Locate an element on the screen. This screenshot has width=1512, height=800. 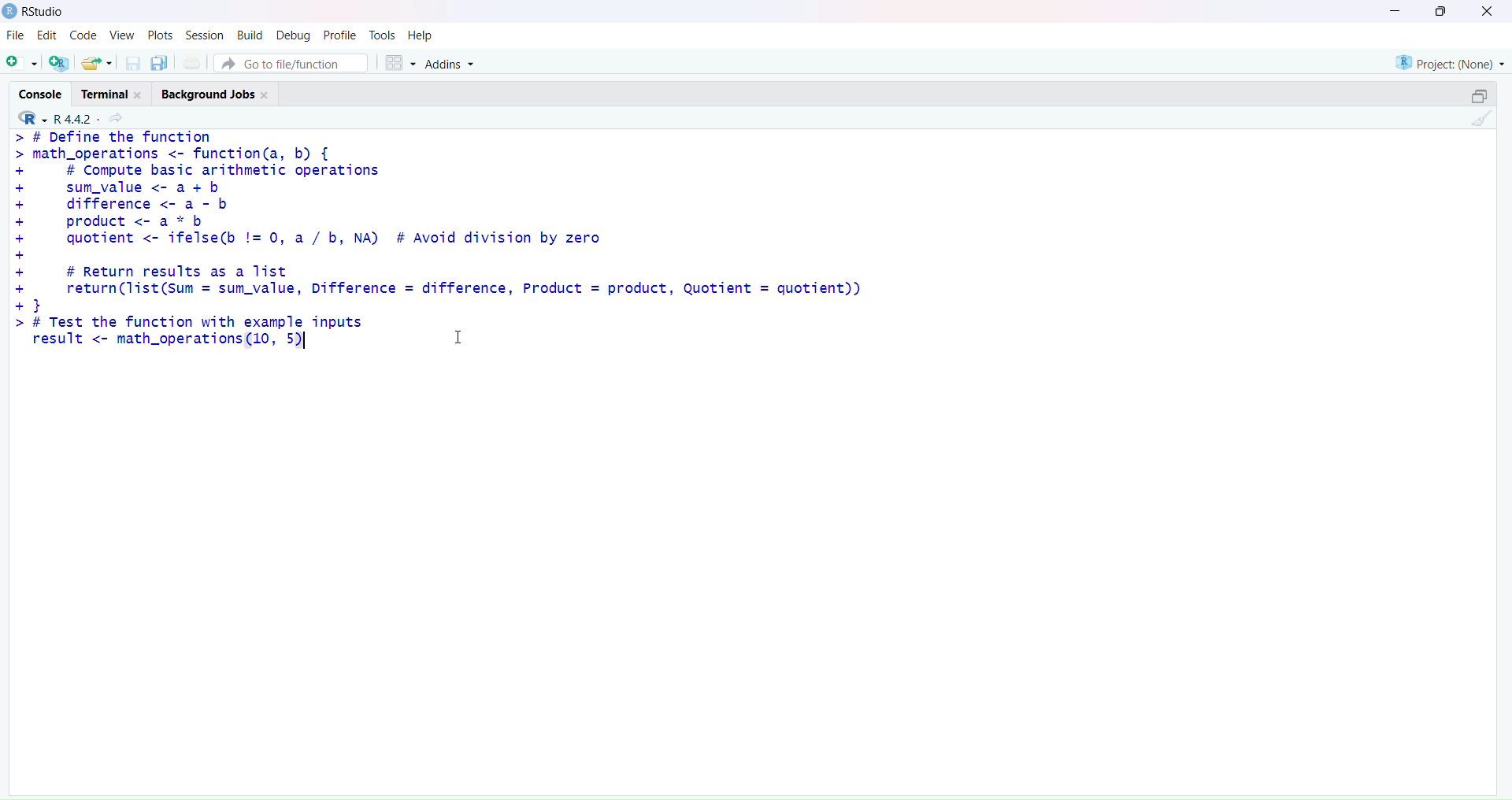
Terminal is located at coordinates (116, 91).